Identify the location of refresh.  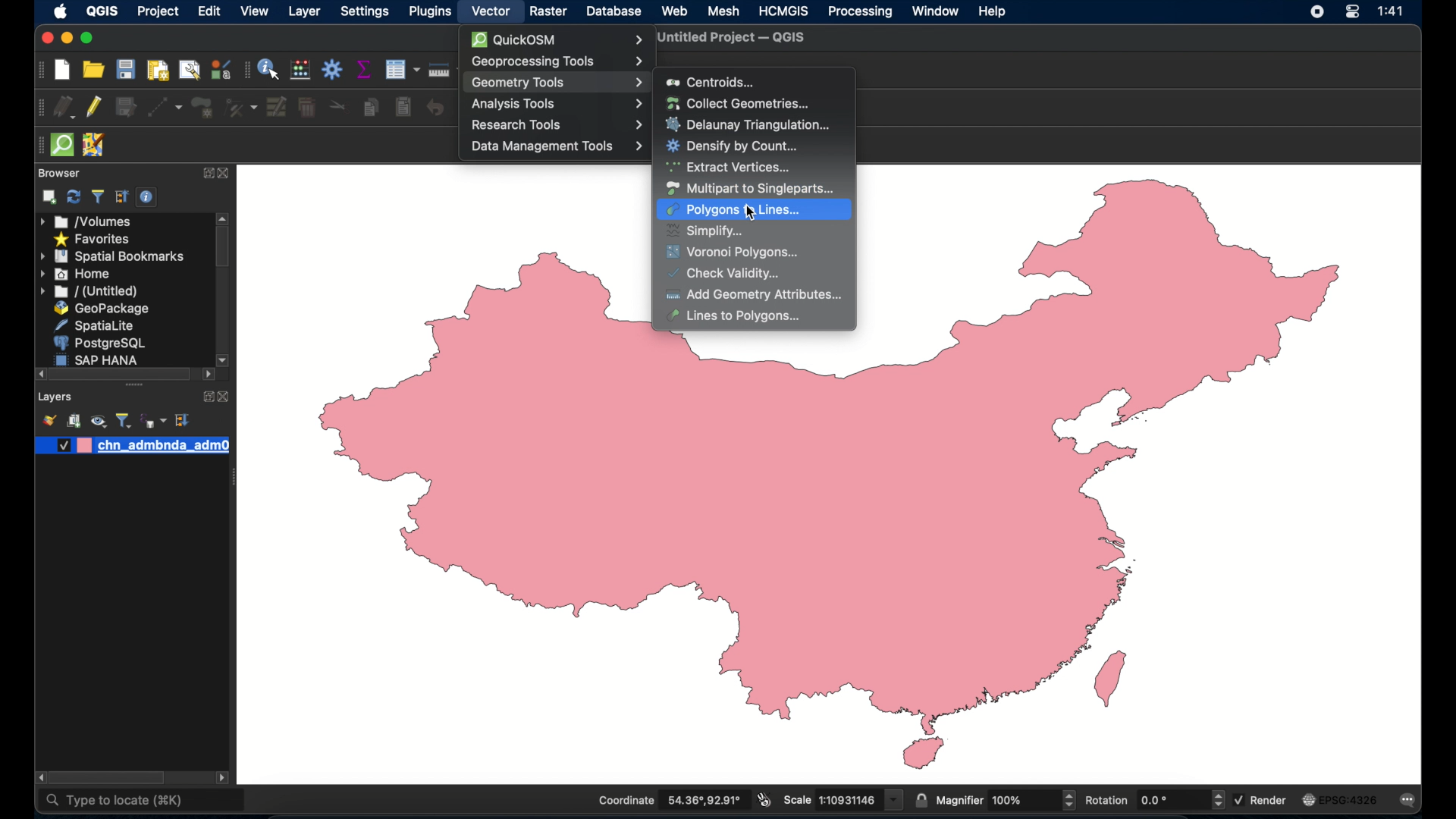
(74, 196).